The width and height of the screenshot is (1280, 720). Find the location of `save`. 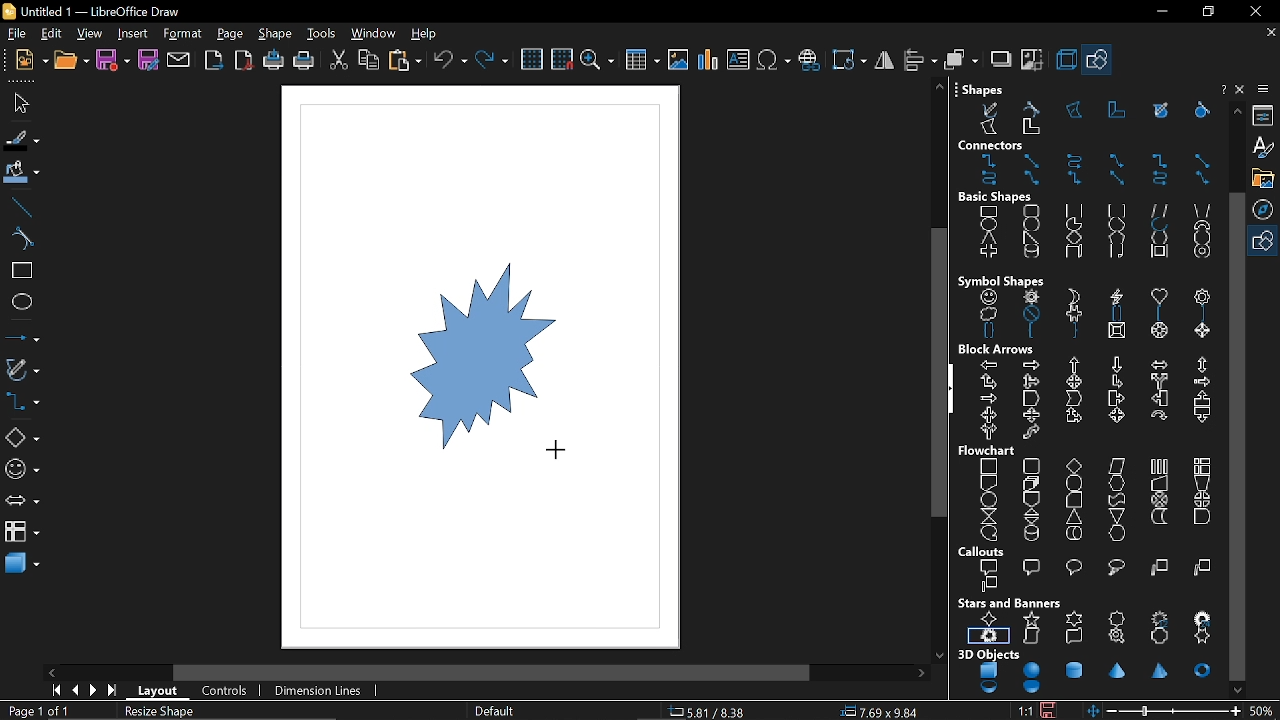

save is located at coordinates (1054, 710).